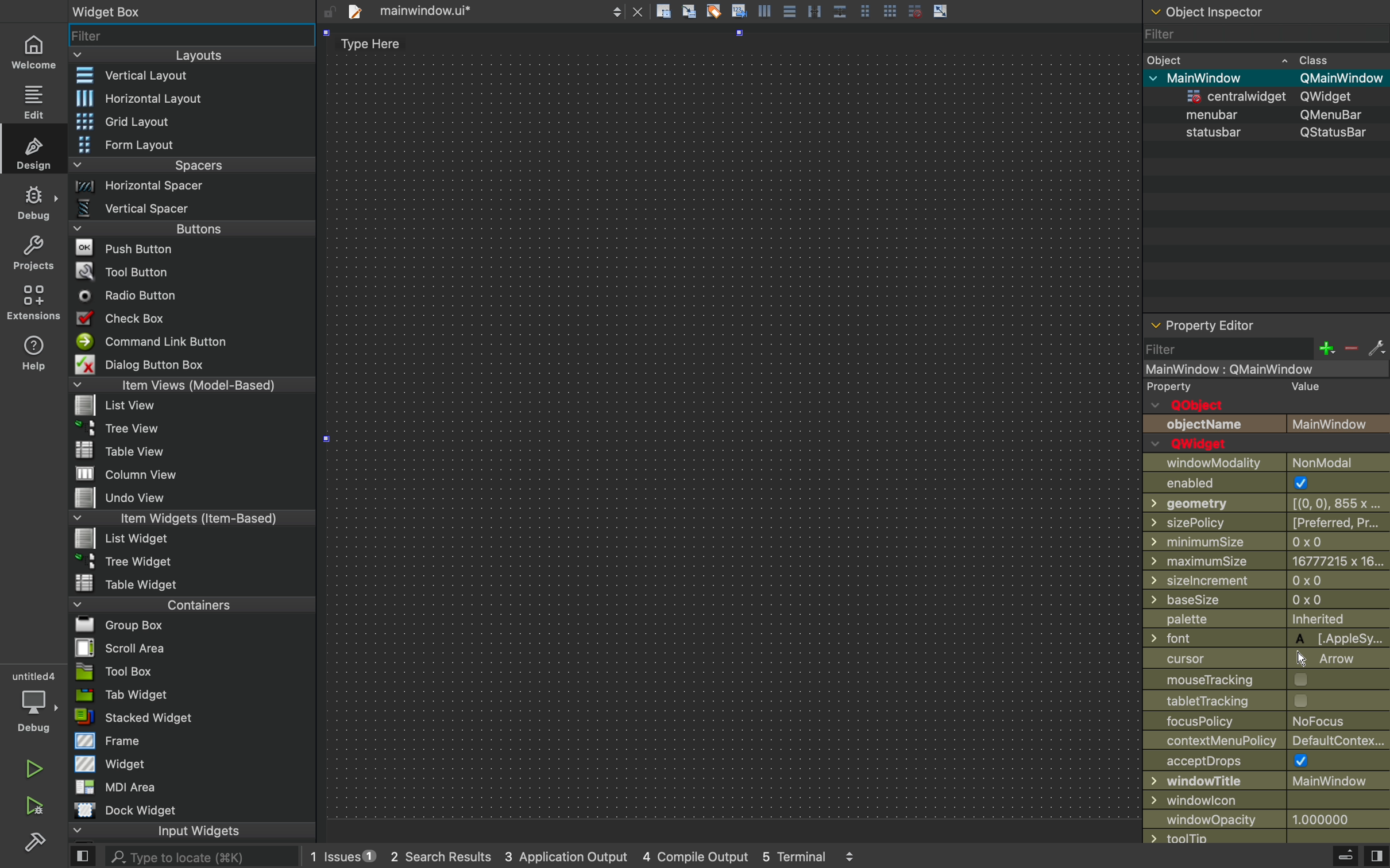  What do you see at coordinates (1276, 115) in the screenshot?
I see `menubar` at bounding box center [1276, 115].